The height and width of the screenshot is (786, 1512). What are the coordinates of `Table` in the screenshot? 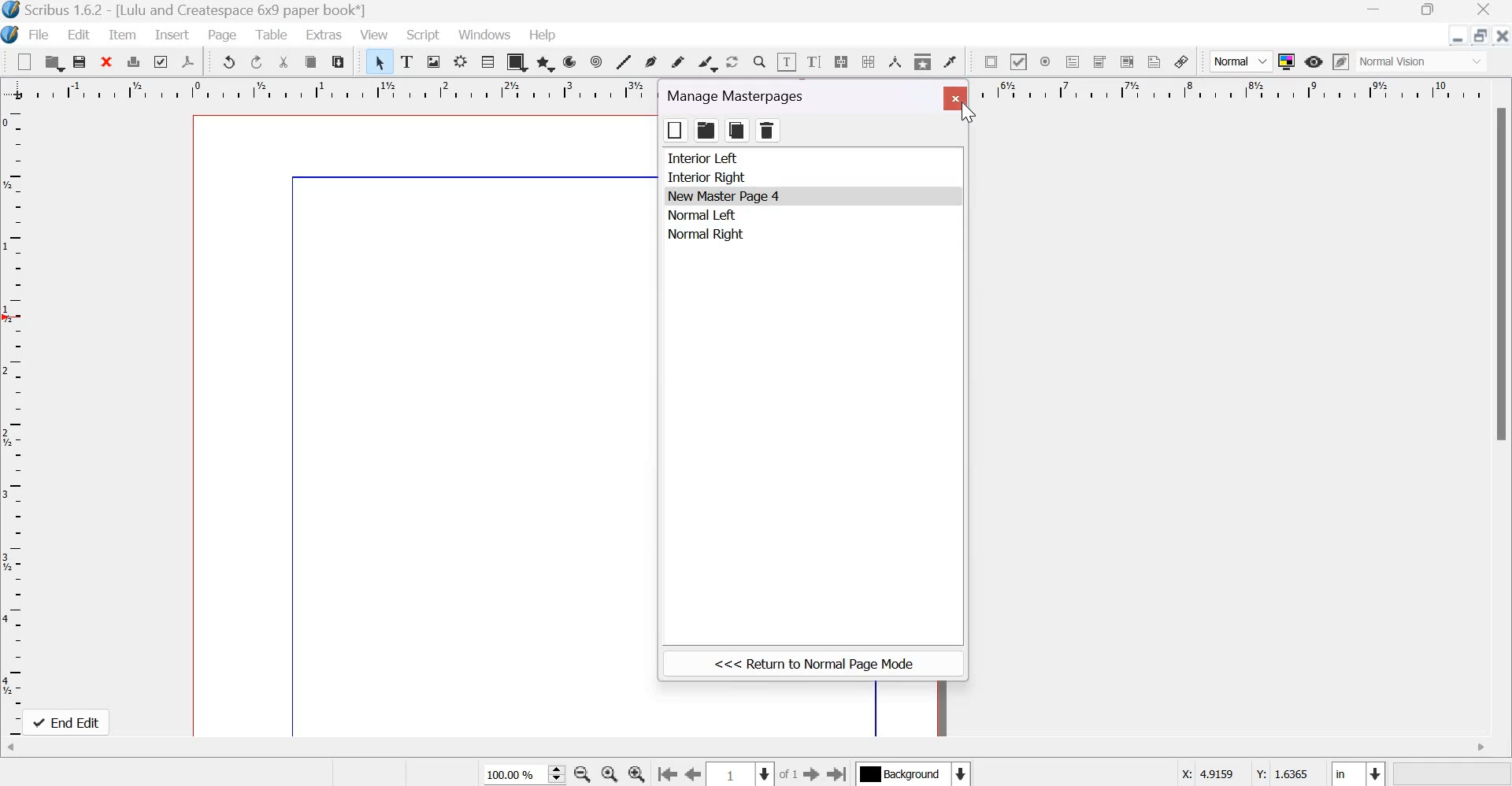 It's located at (271, 35).